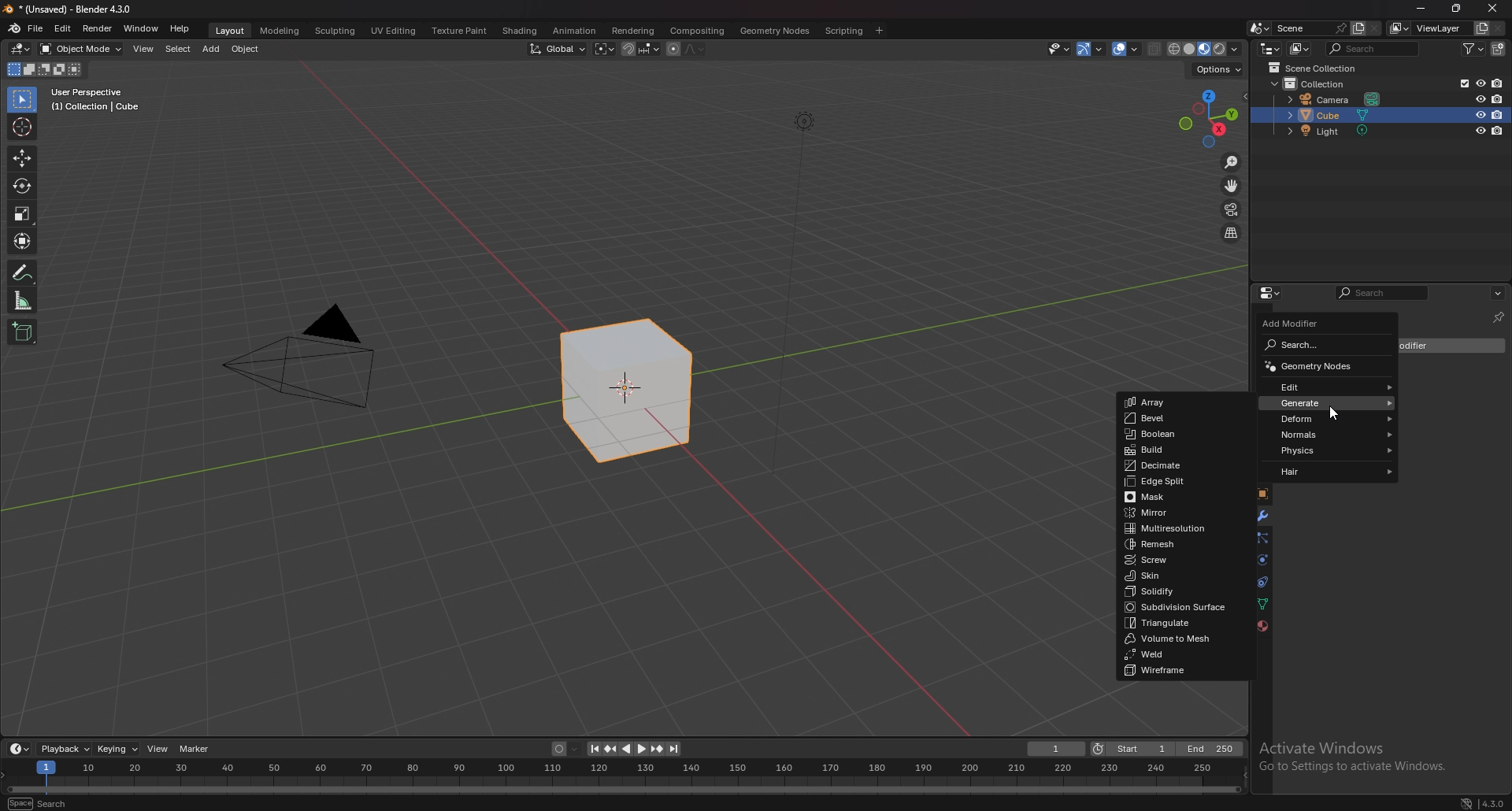  I want to click on play animation, so click(635, 749).